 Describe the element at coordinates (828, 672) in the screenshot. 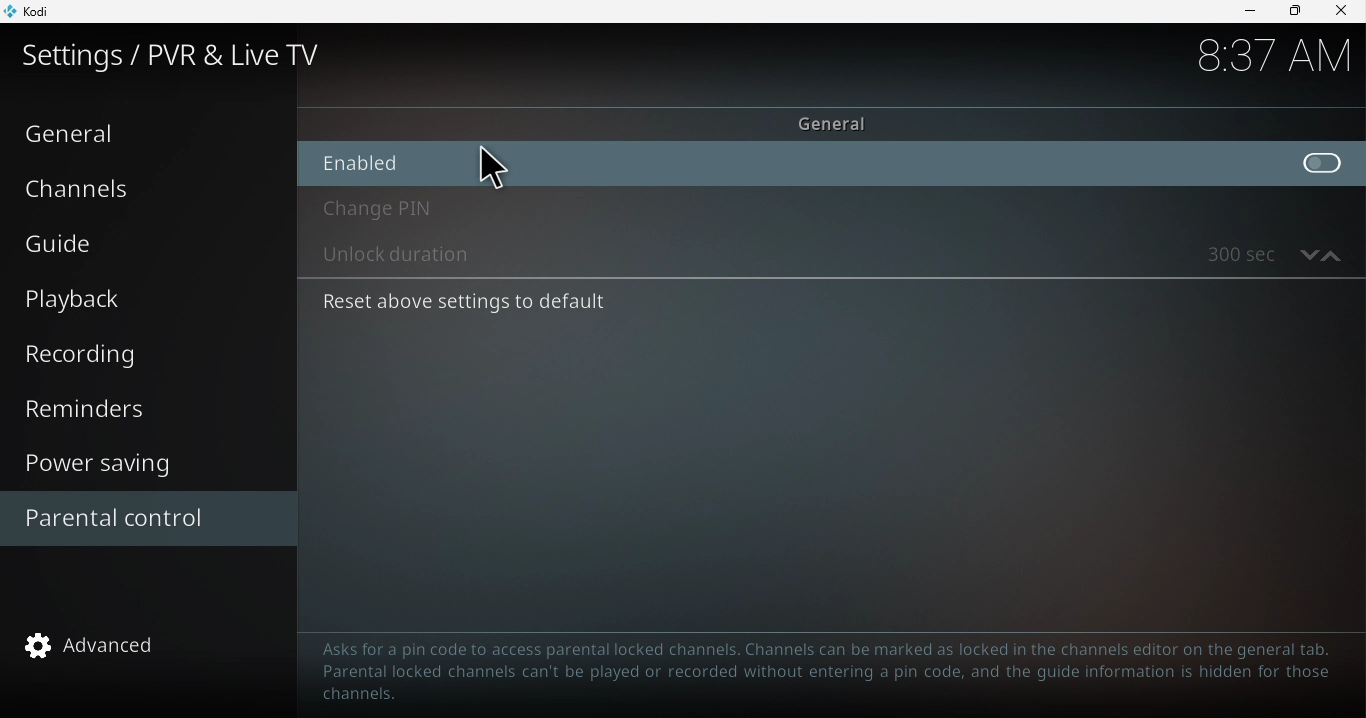

I see `Text to guide to help parental control configuration` at that location.